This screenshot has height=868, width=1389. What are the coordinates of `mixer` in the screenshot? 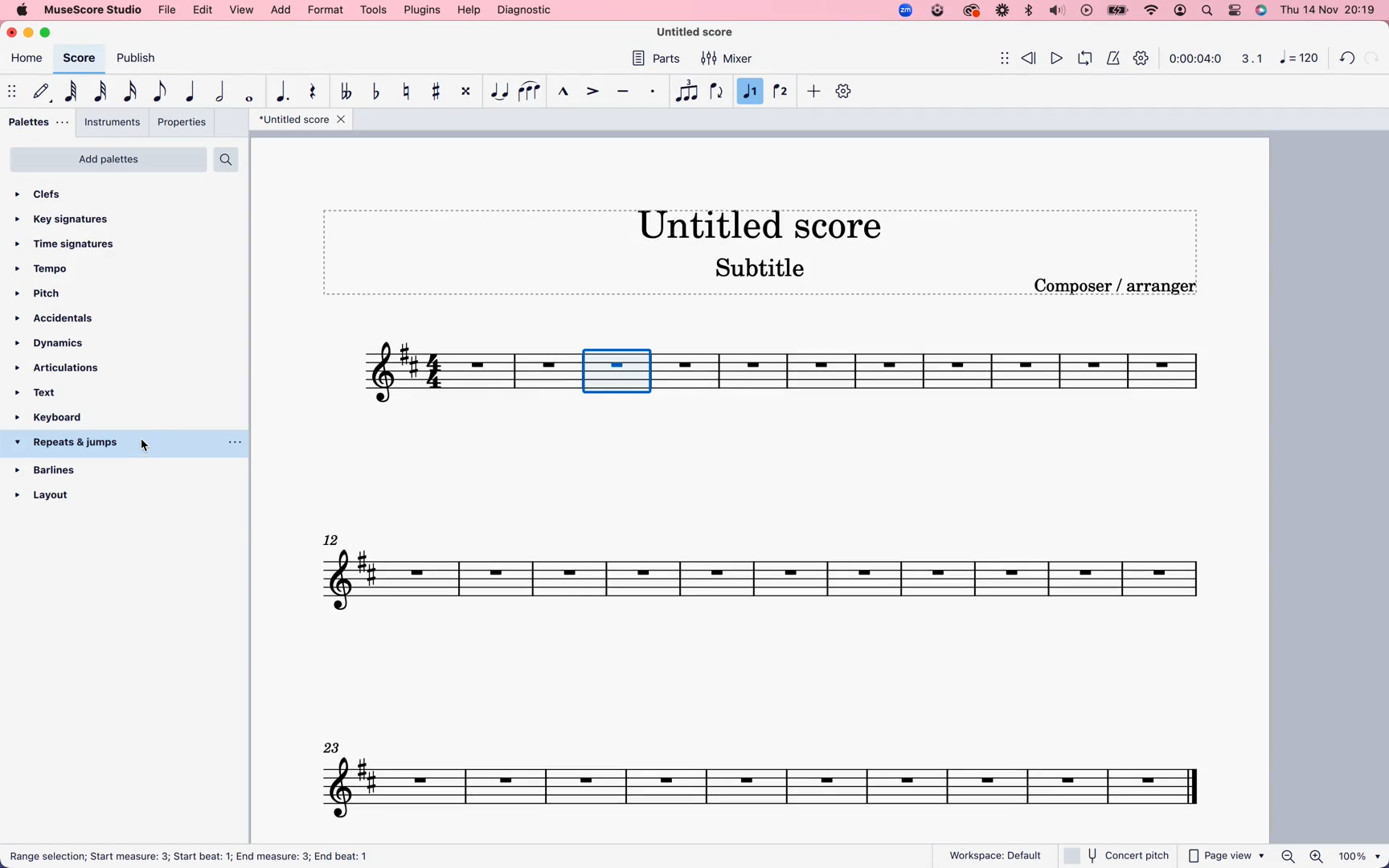 It's located at (727, 59).